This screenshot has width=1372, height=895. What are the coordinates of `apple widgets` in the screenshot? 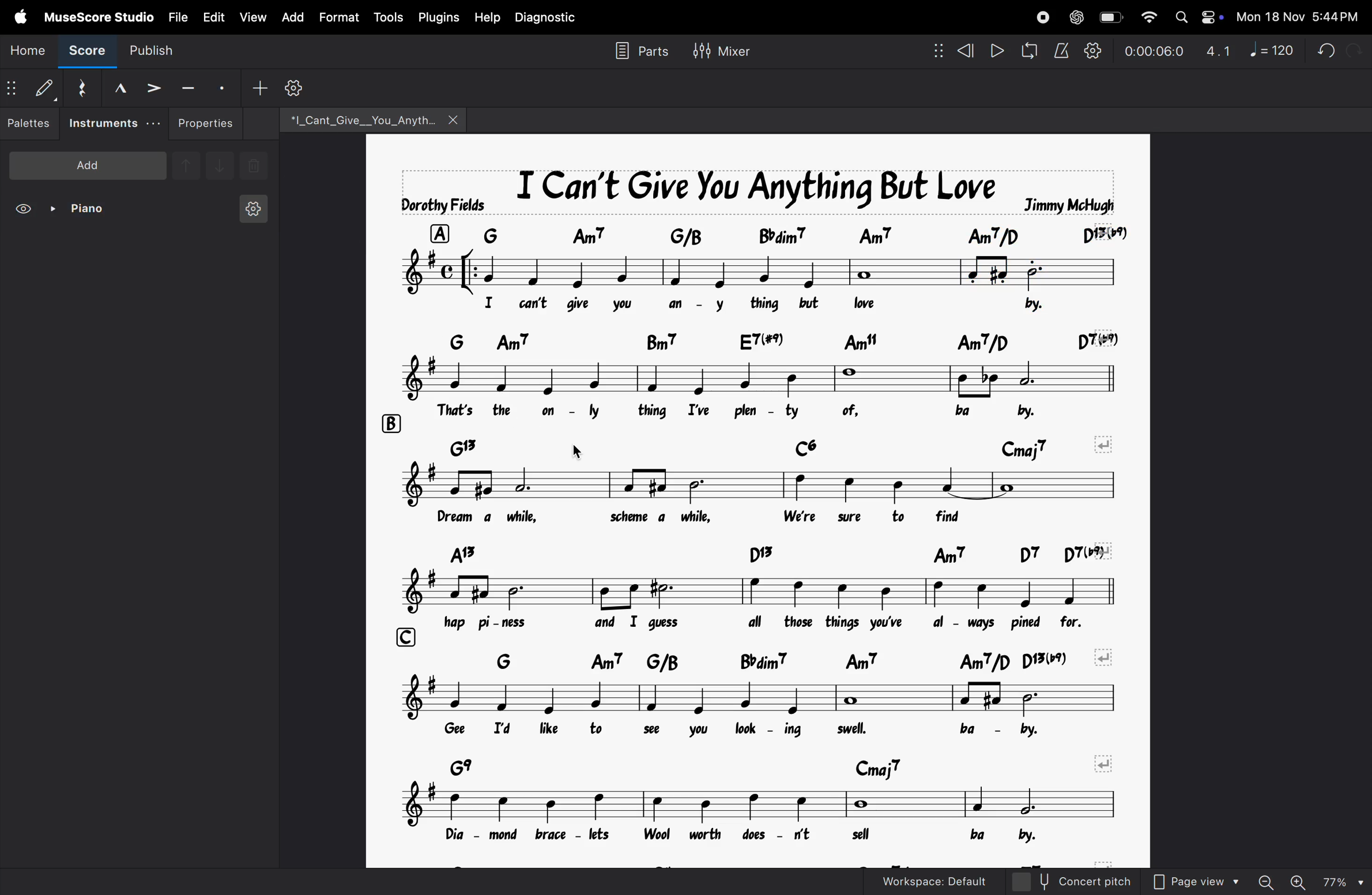 It's located at (1196, 17).